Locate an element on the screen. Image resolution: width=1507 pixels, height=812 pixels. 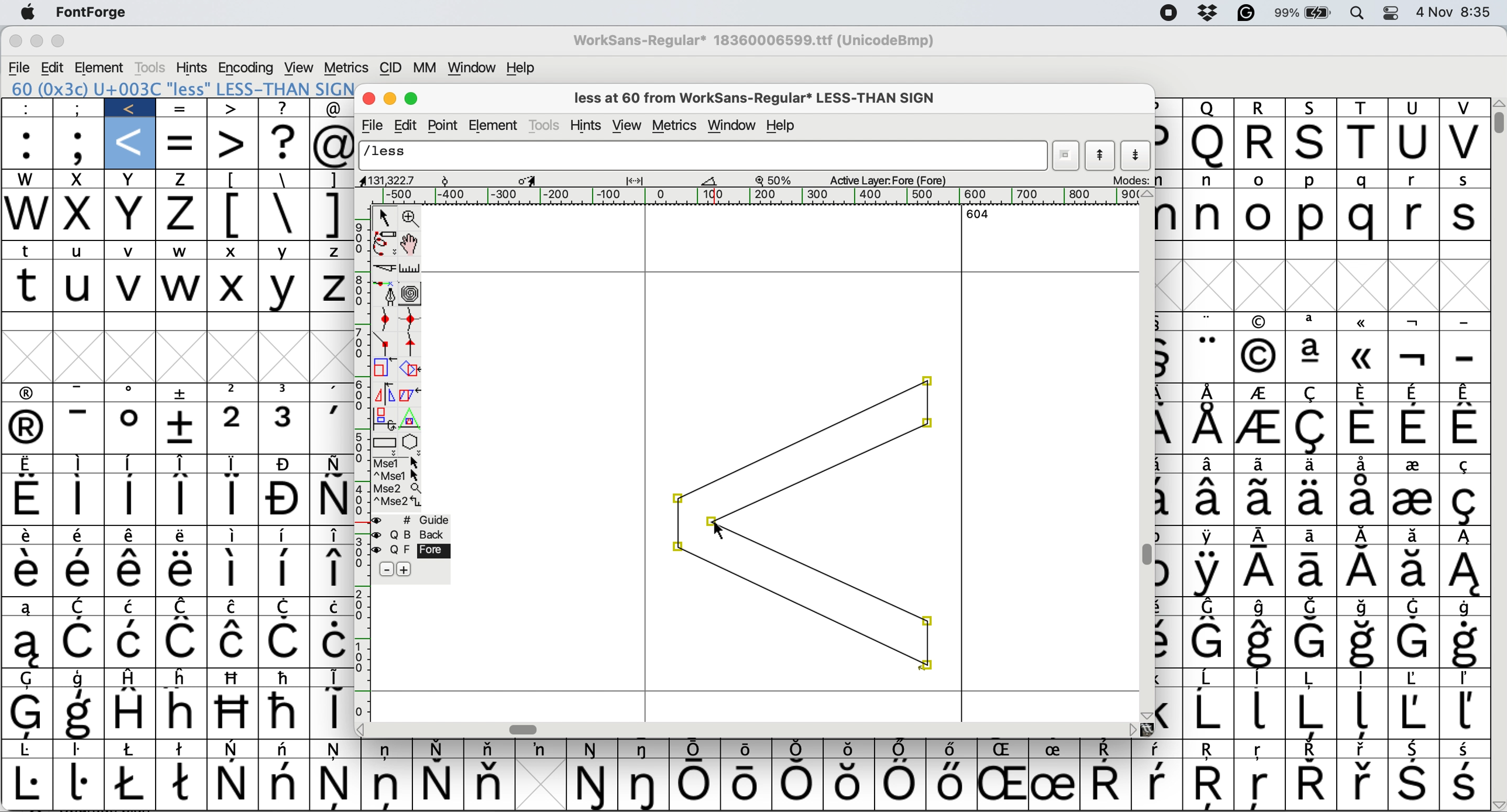
p is located at coordinates (1309, 216).